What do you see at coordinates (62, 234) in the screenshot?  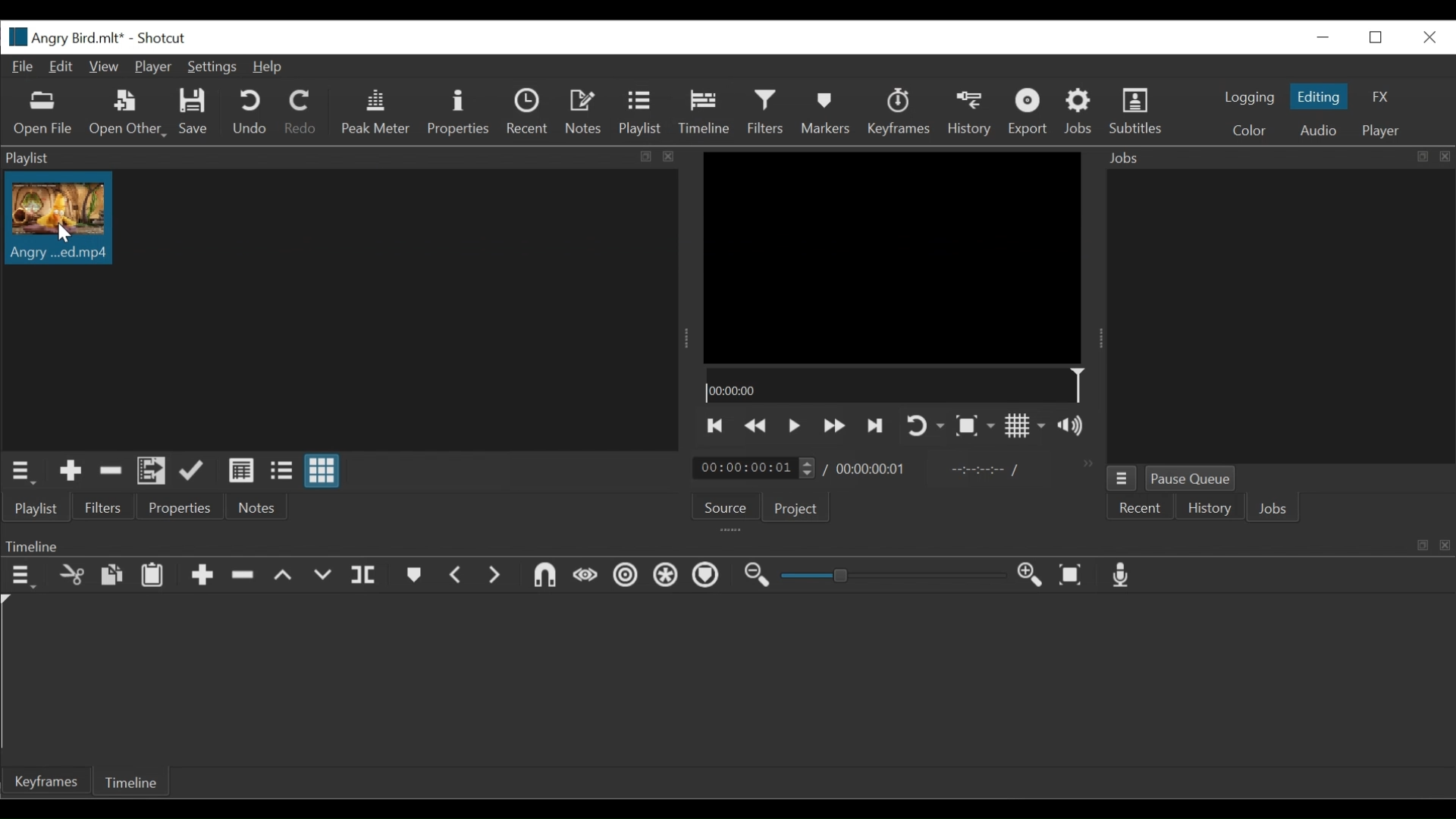 I see `Cursor` at bounding box center [62, 234].